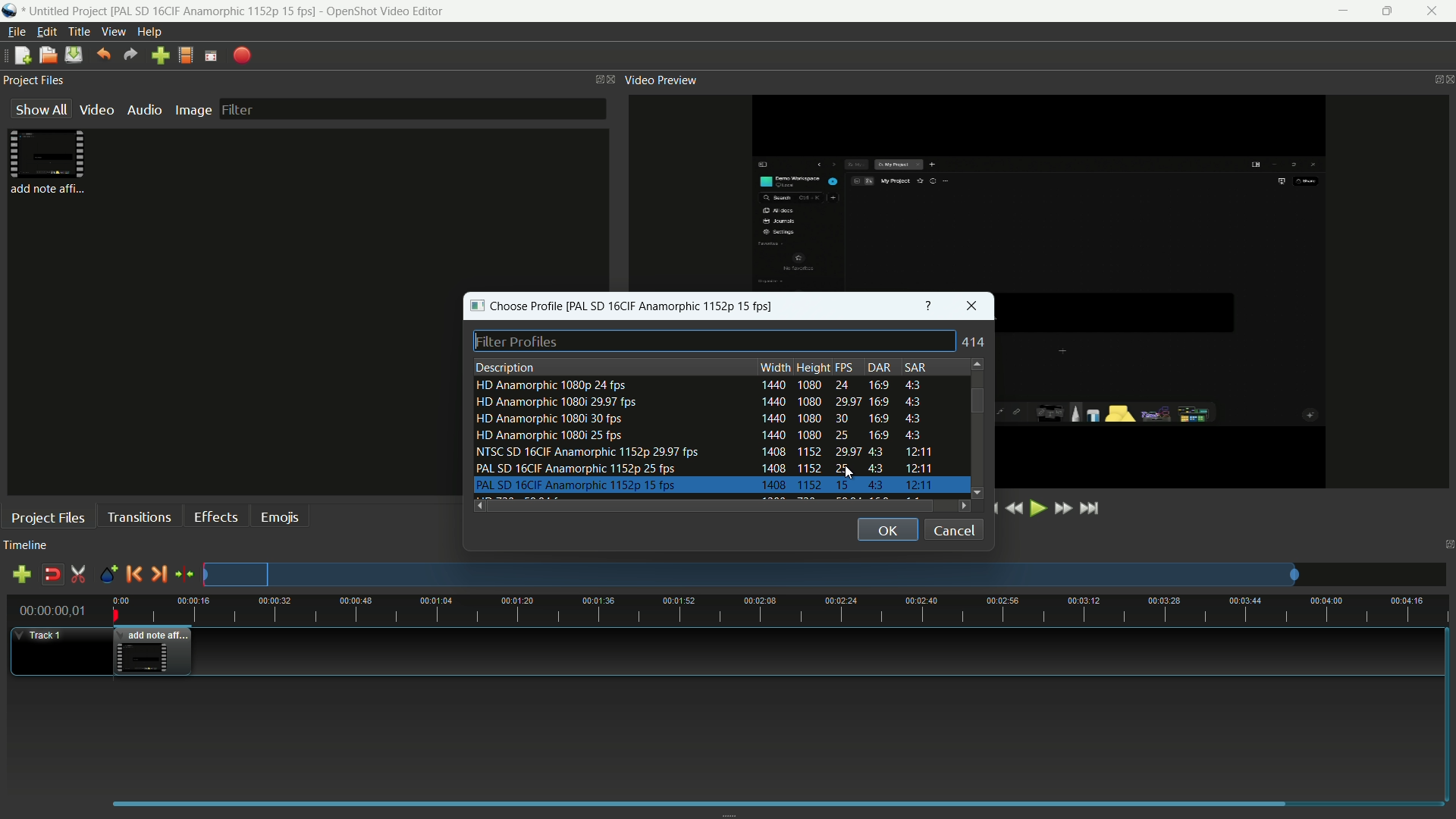 This screenshot has width=1456, height=819. Describe the element at coordinates (704, 486) in the screenshot. I see `profile-7` at that location.